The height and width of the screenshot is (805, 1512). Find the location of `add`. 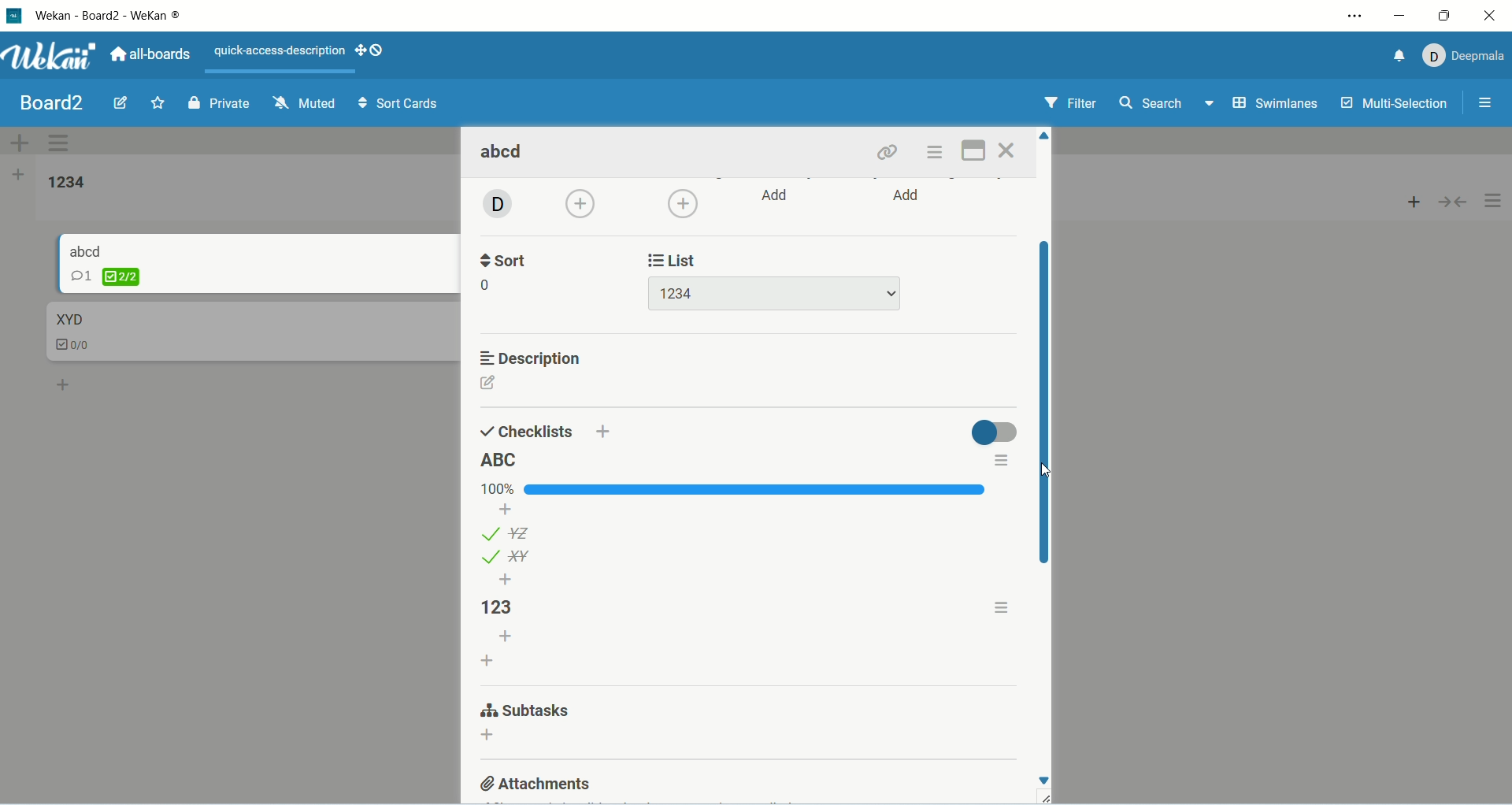

add is located at coordinates (583, 205).